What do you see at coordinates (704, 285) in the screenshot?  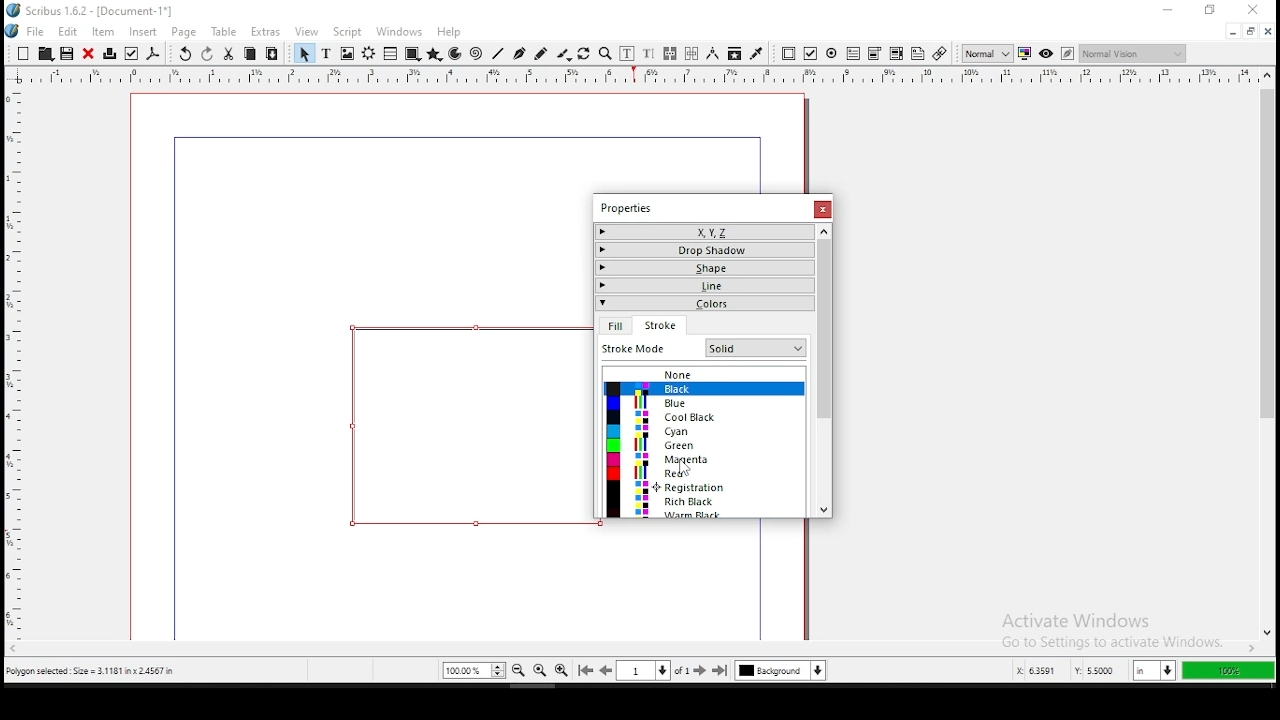 I see `line` at bounding box center [704, 285].